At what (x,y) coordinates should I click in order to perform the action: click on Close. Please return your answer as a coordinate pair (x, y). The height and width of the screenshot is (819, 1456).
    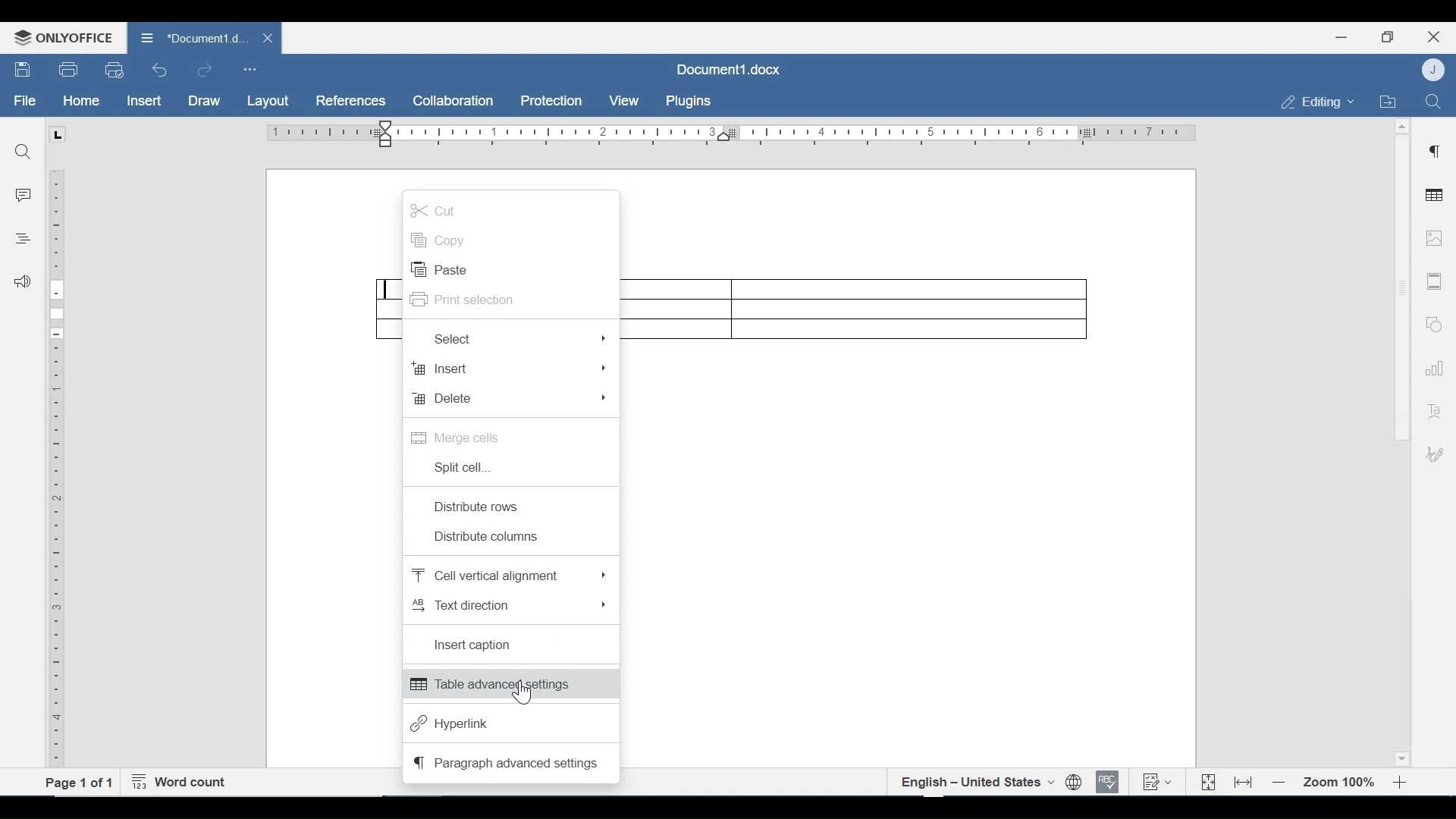
    Looking at the image, I should click on (1434, 35).